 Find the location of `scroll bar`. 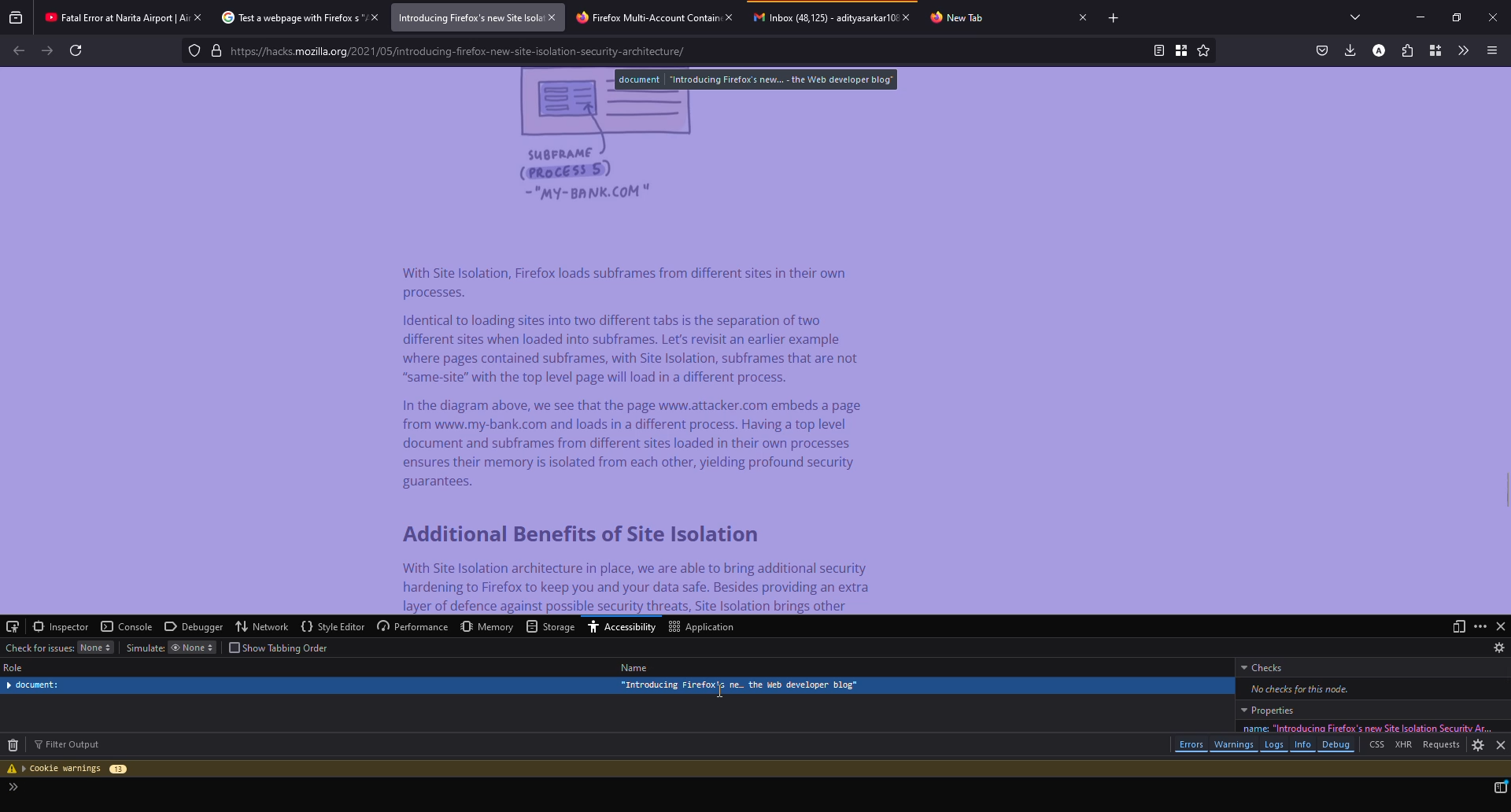

scroll bar is located at coordinates (1508, 677).